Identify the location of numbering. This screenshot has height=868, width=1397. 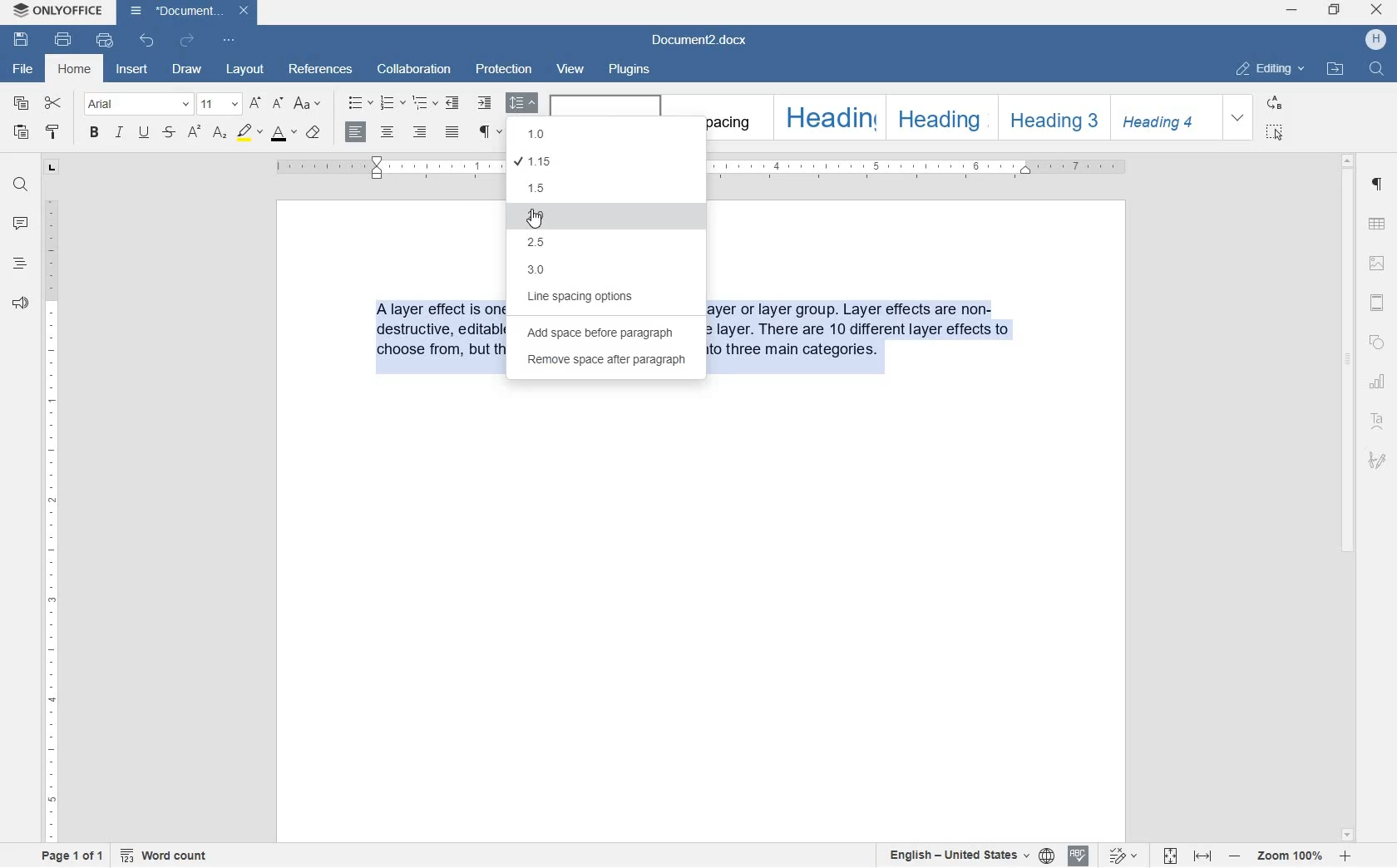
(390, 103).